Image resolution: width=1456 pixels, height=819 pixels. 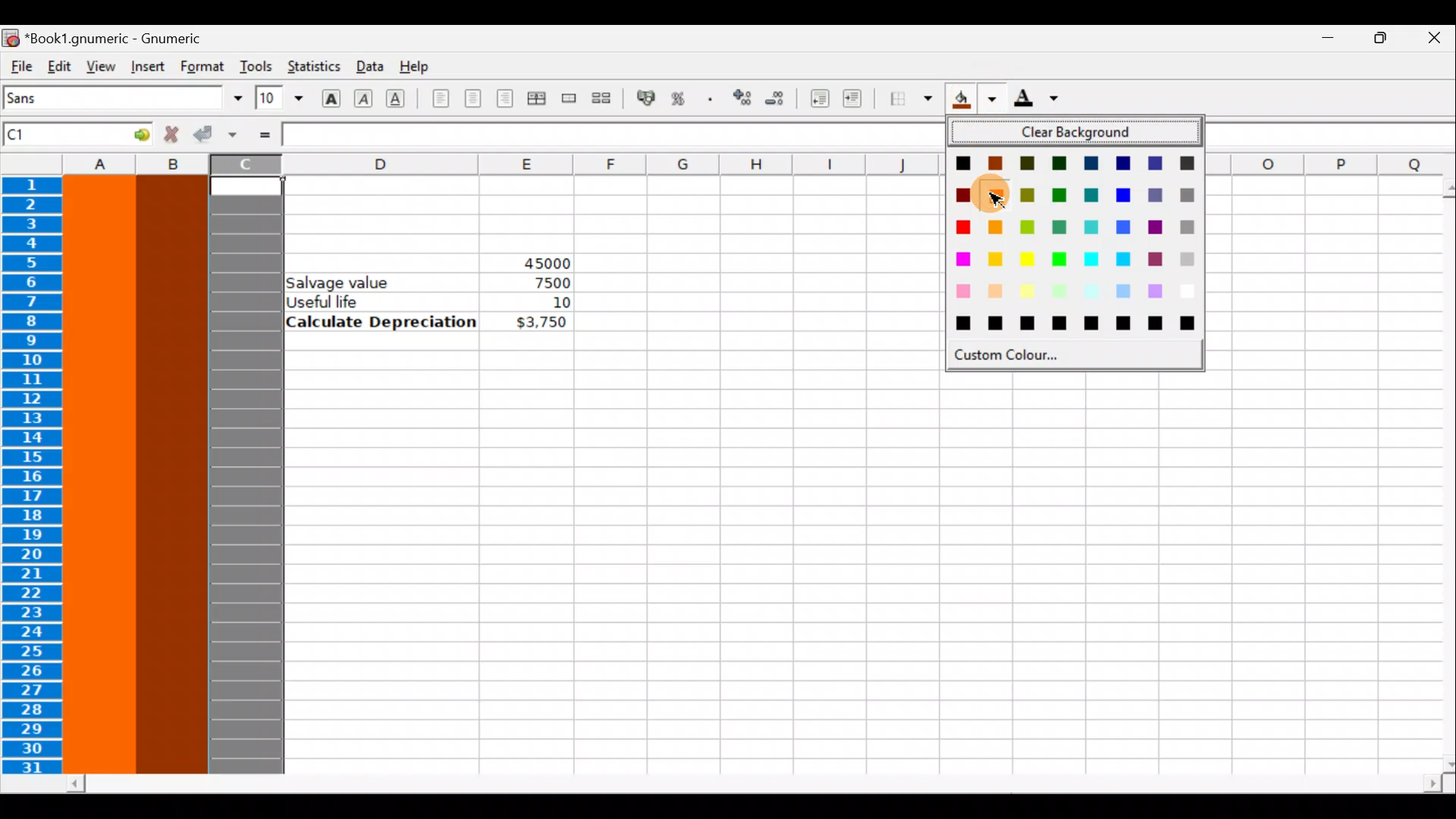 I want to click on Custom color, so click(x=1022, y=355).